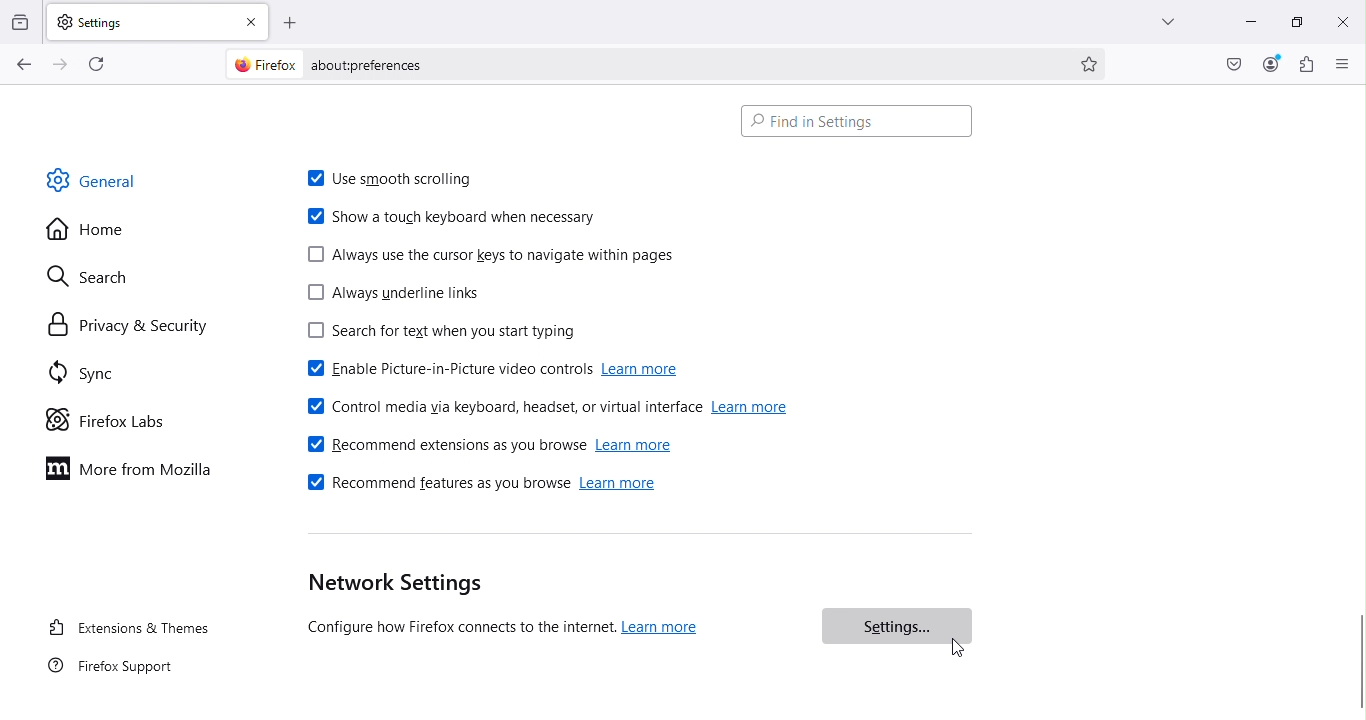 Image resolution: width=1366 pixels, height=720 pixels. I want to click on Show a touch keyboard when necessary, so click(448, 219).